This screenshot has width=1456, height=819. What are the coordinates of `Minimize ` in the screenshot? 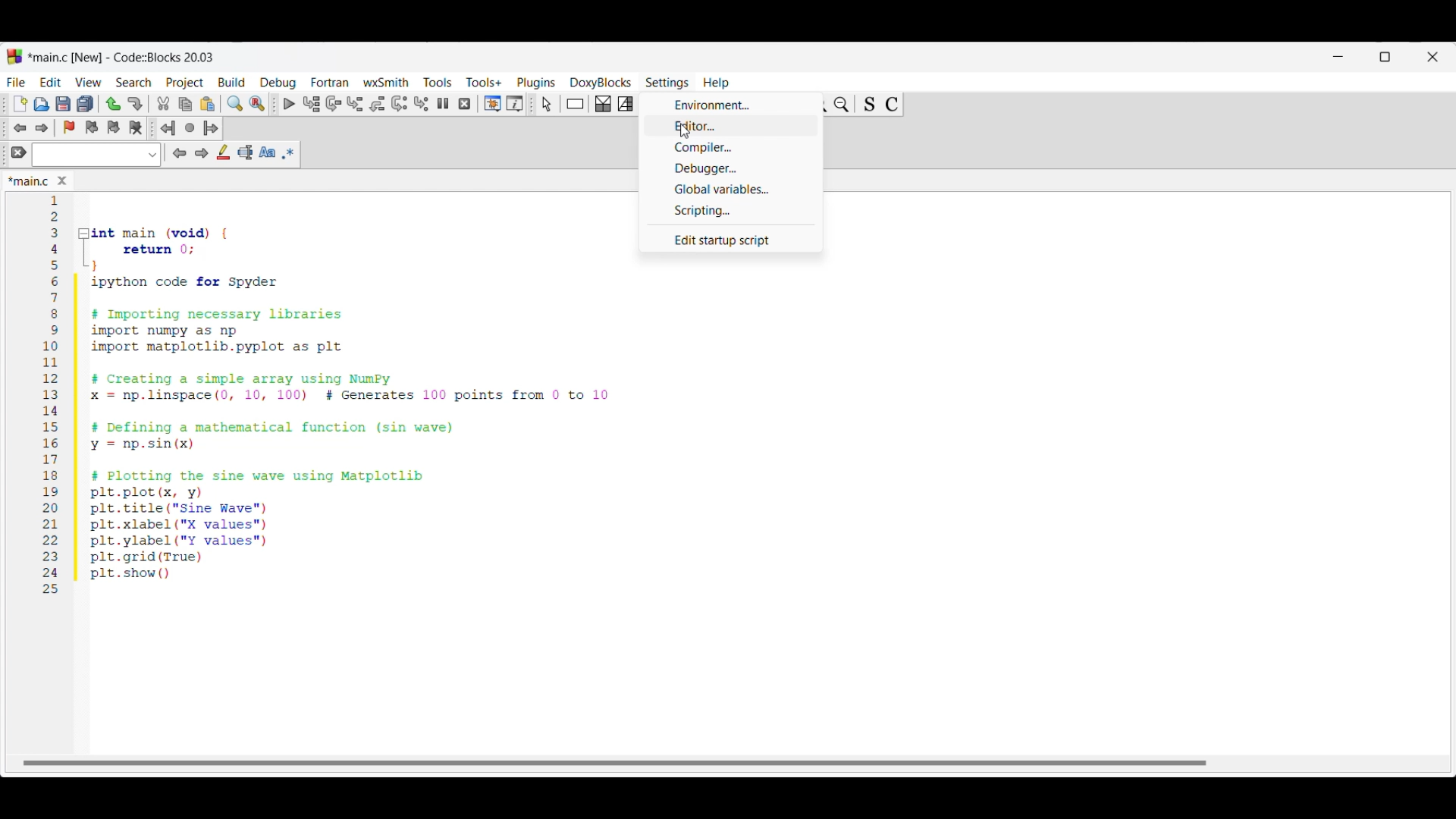 It's located at (1338, 57).